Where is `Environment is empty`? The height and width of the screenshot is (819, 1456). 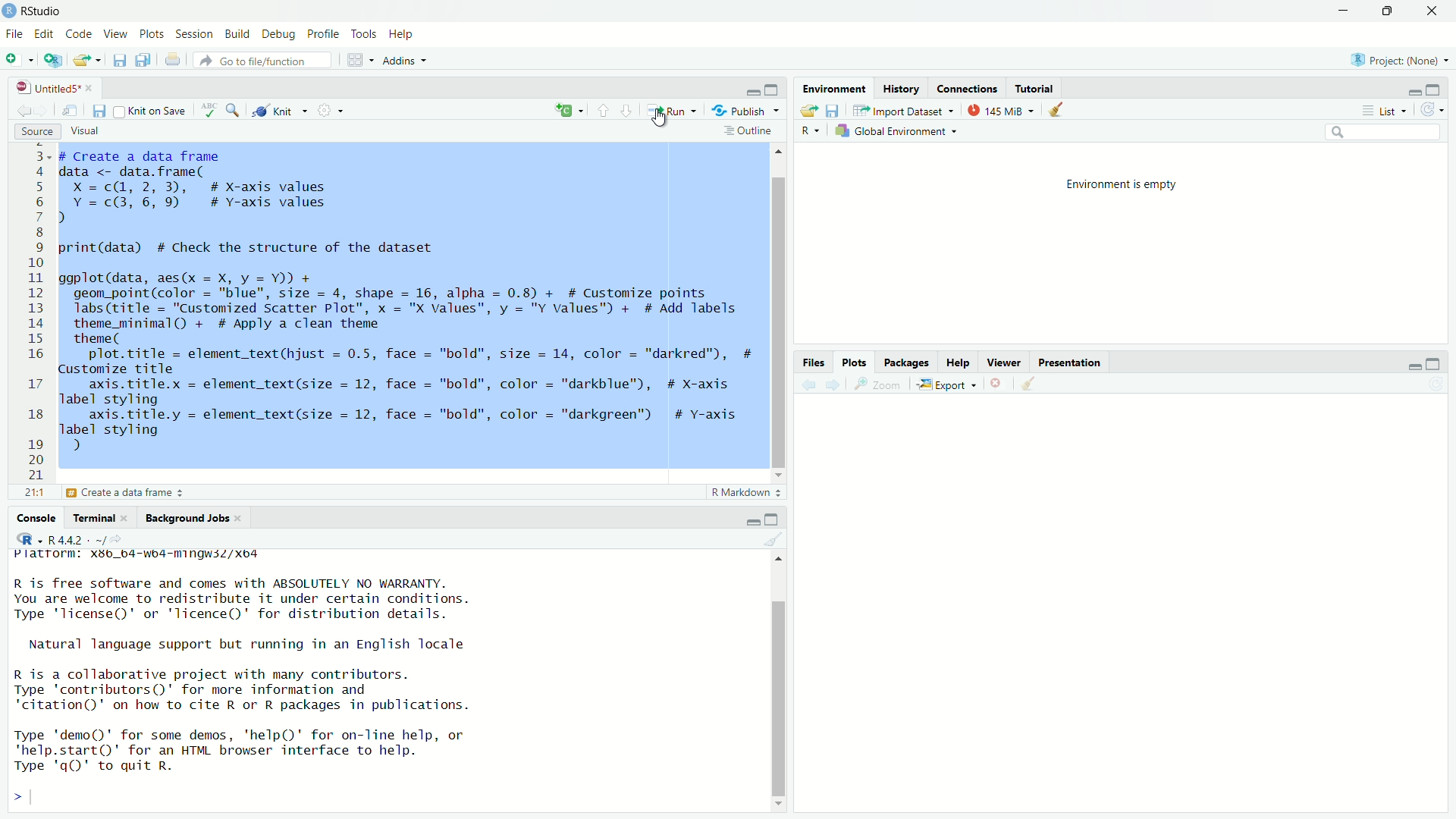 Environment is empty is located at coordinates (1122, 185).